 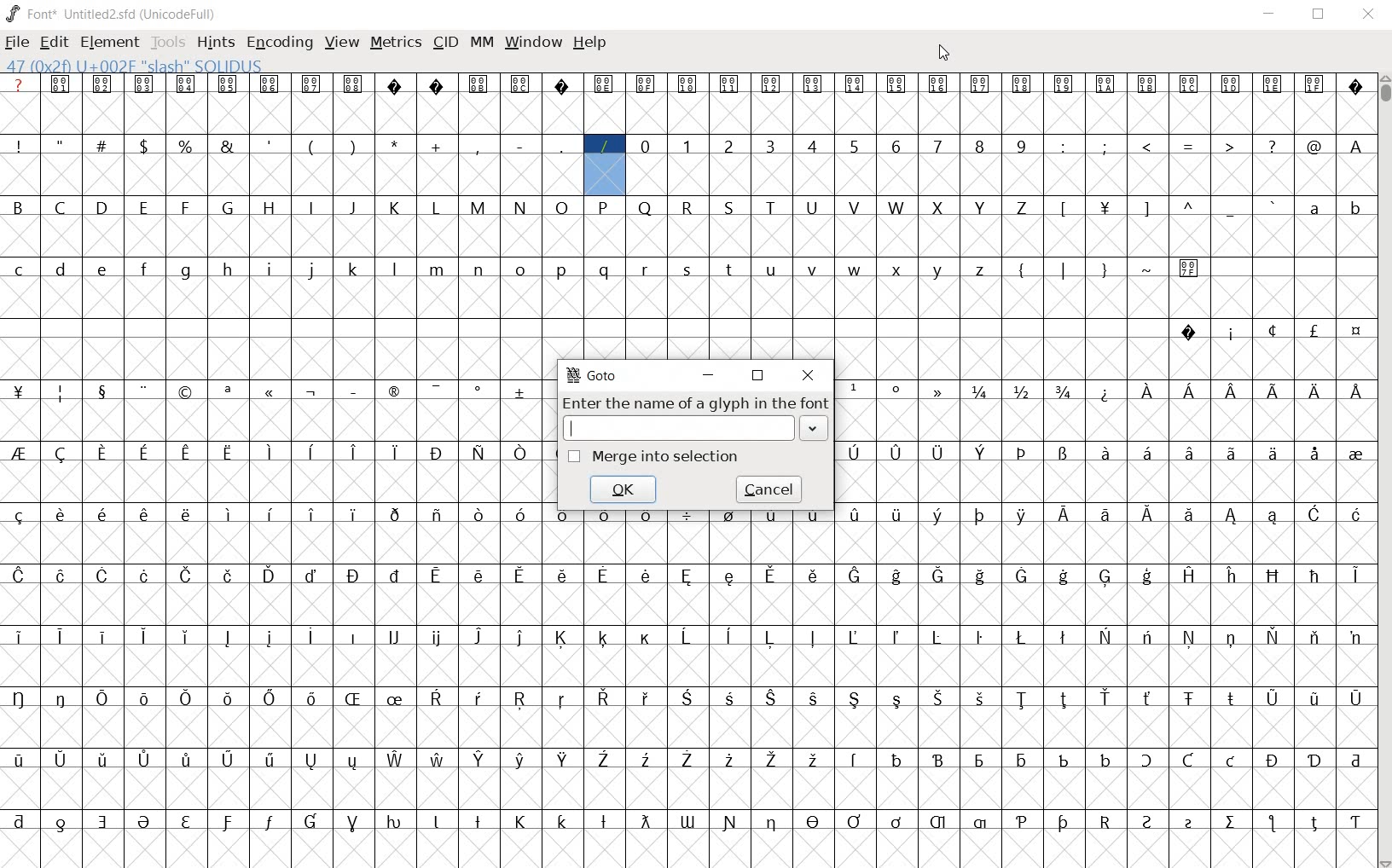 What do you see at coordinates (229, 576) in the screenshot?
I see `glyph` at bounding box center [229, 576].